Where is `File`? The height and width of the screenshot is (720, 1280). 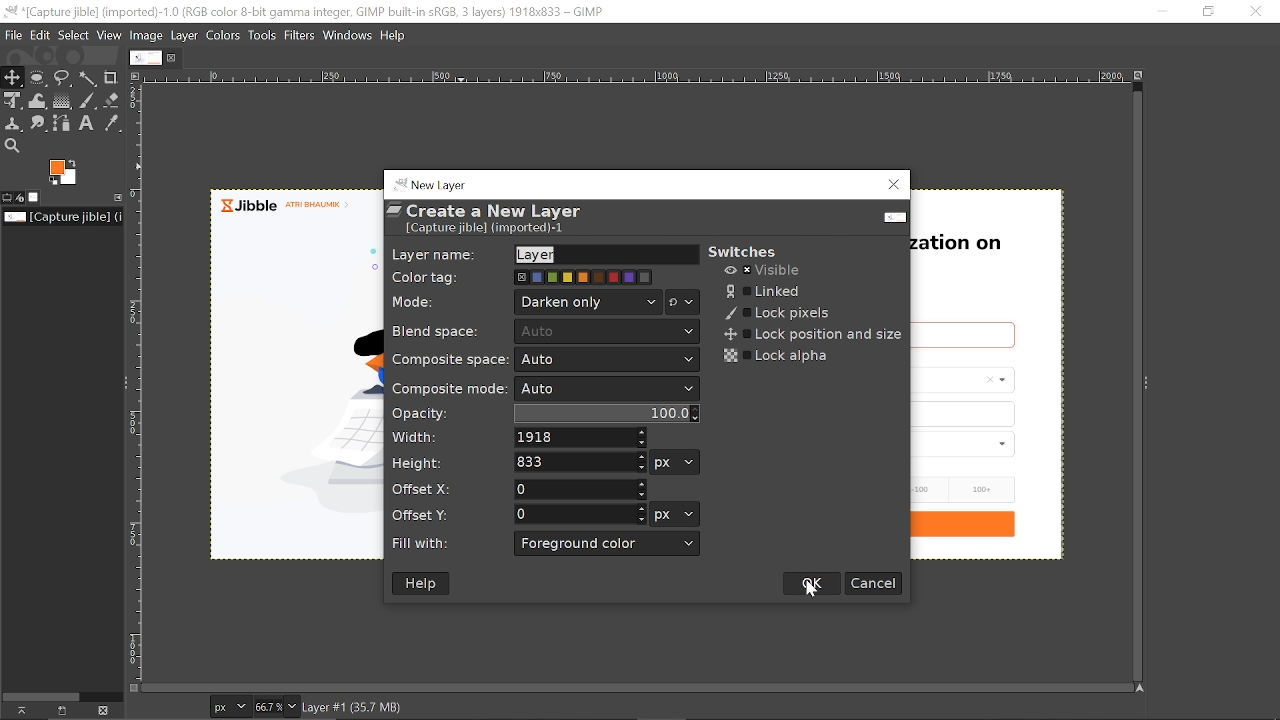 File is located at coordinates (13, 36).